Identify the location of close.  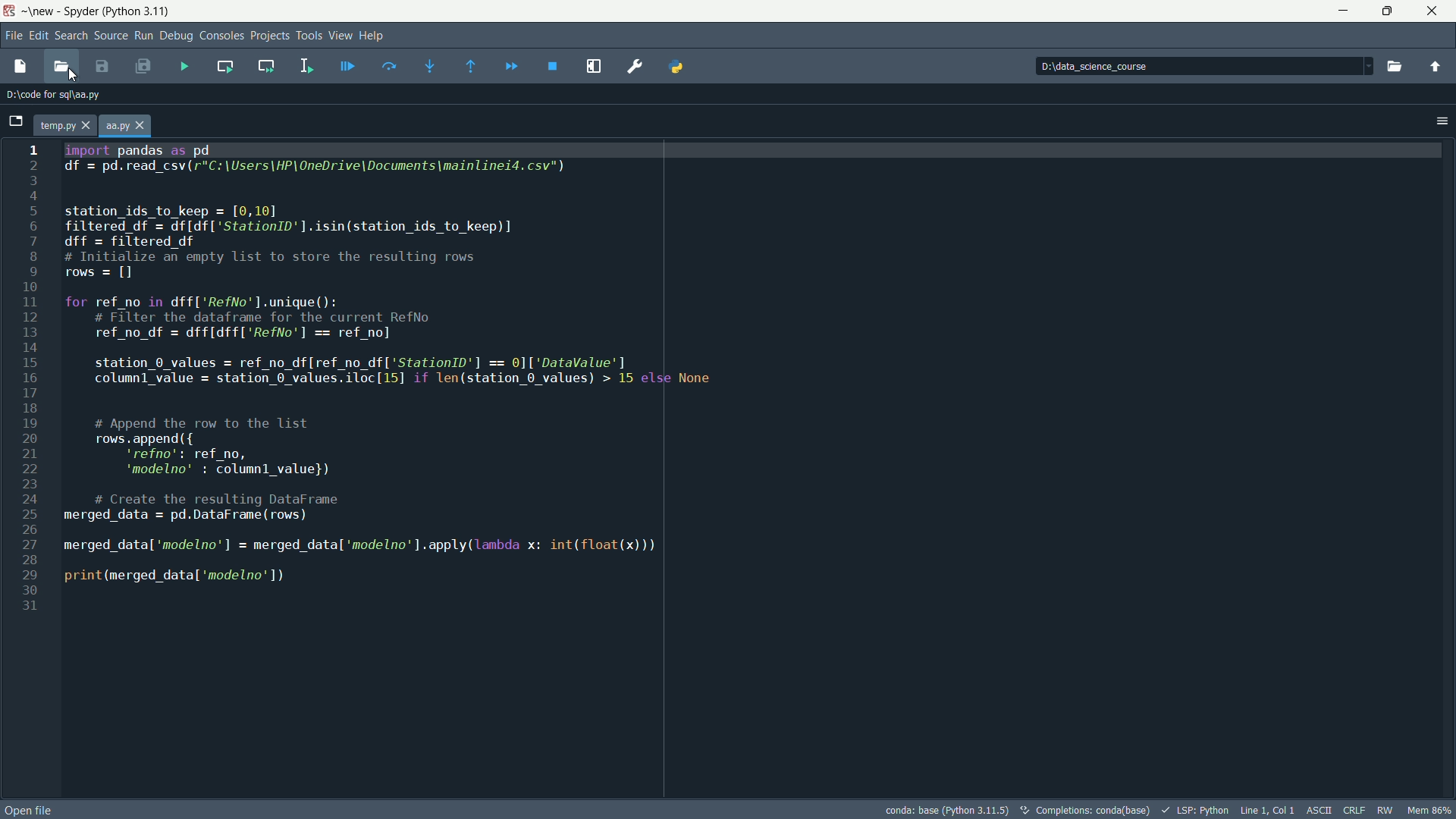
(1433, 11).